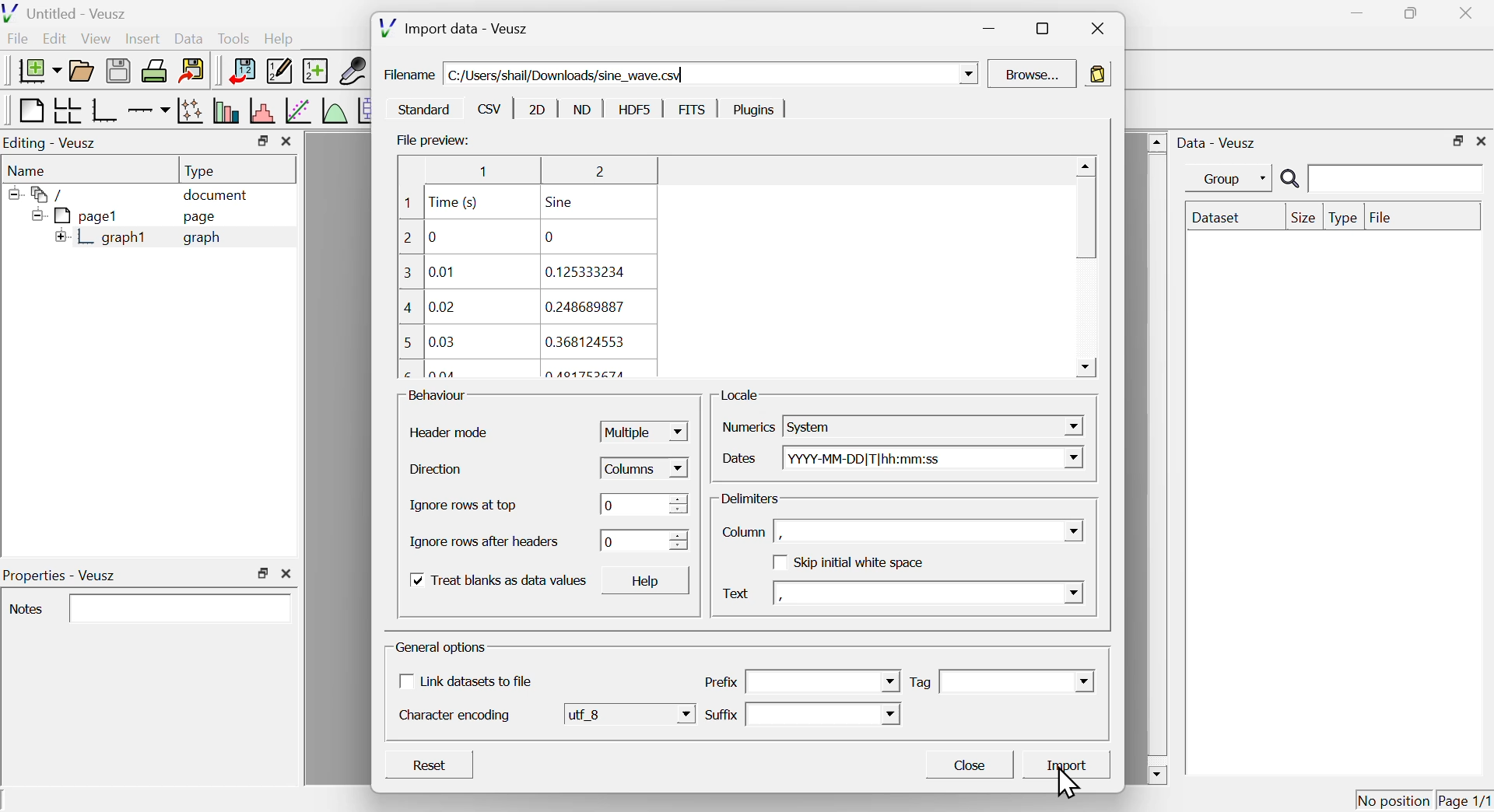 Image resolution: width=1494 pixels, height=812 pixels. What do you see at coordinates (261, 110) in the screenshot?
I see `histogram of a dataset` at bounding box center [261, 110].